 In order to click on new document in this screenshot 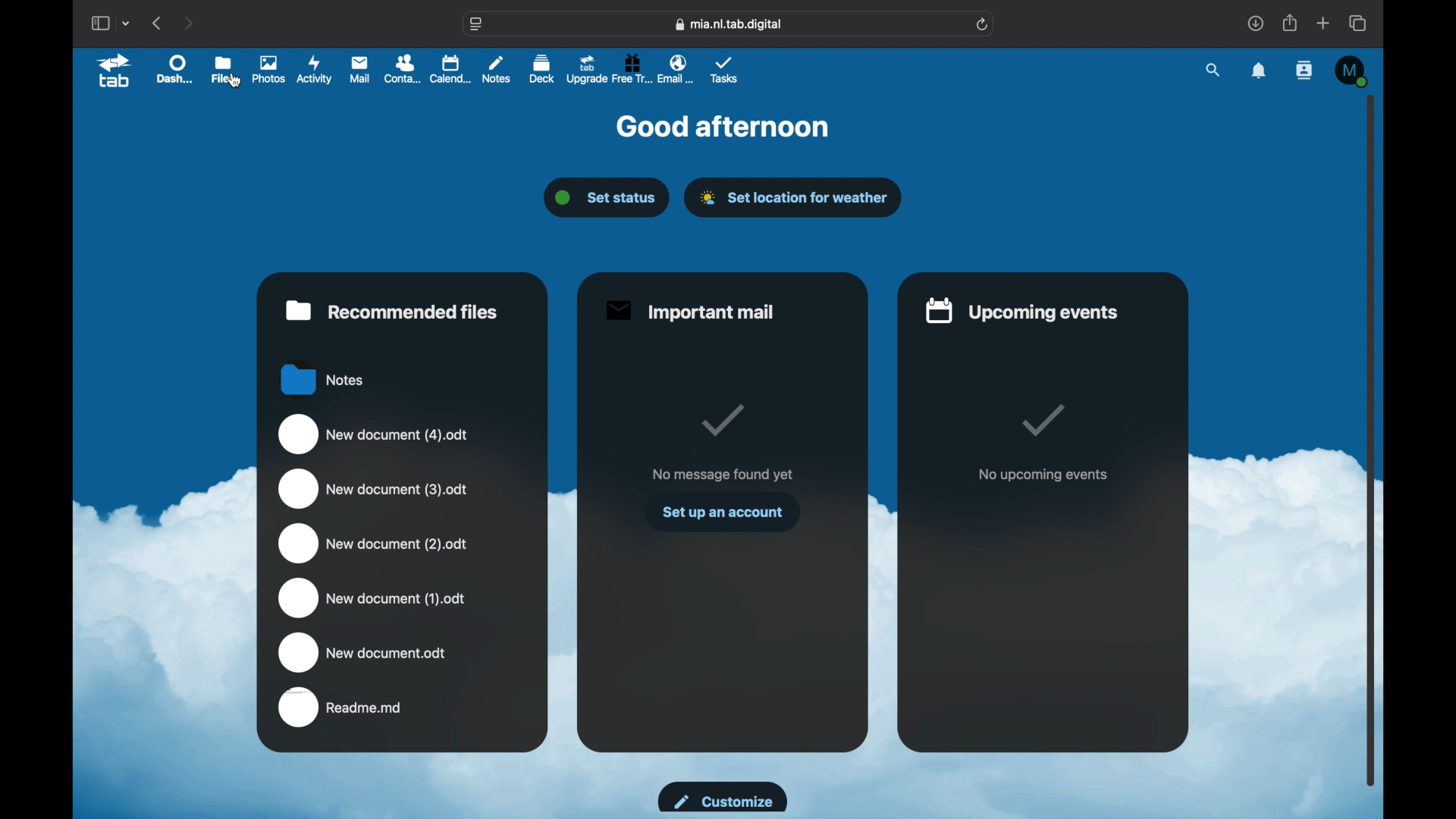, I will do `click(373, 435)`.